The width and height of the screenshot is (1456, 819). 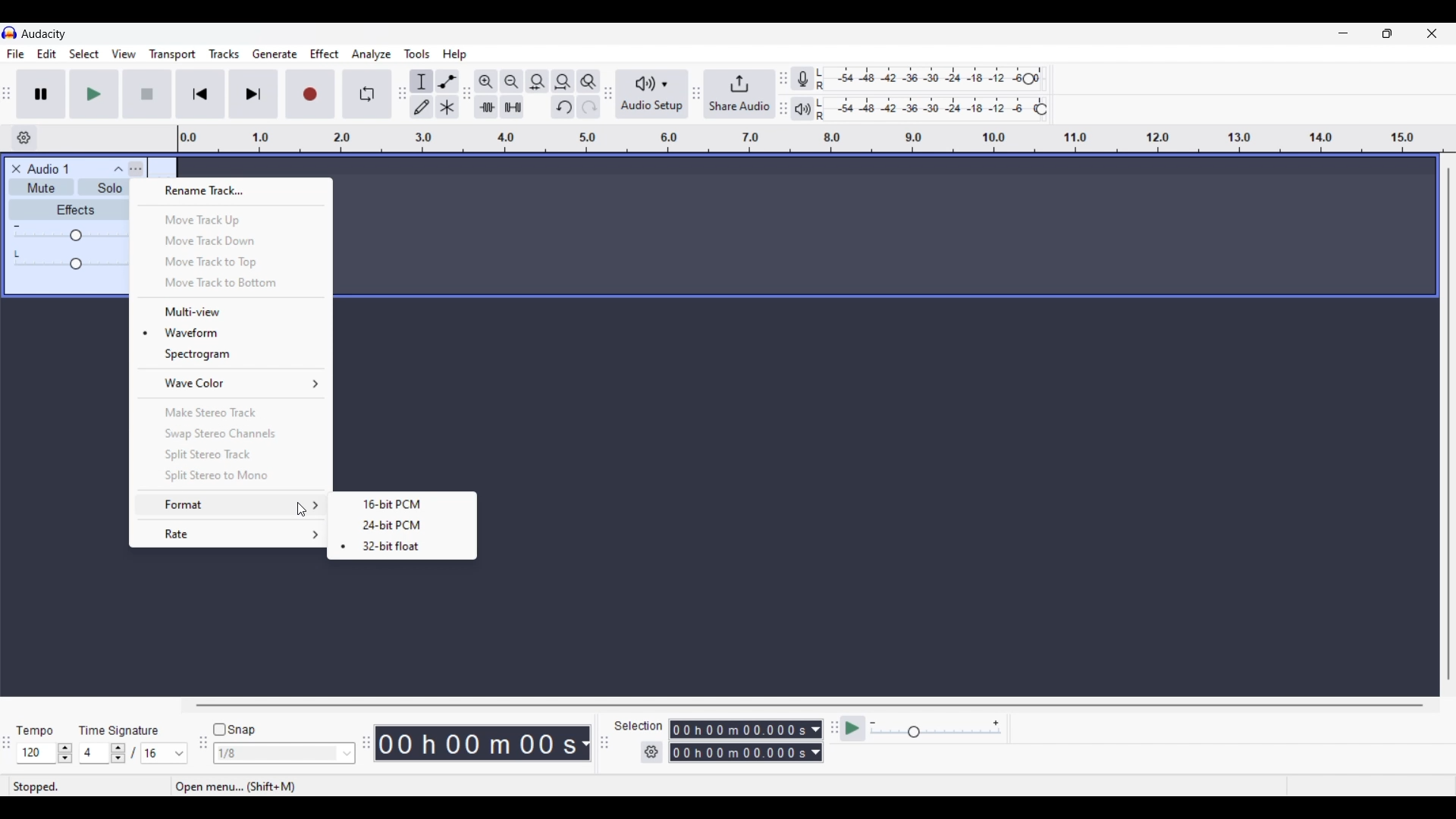 I want to click on Split stereo track, so click(x=231, y=454).